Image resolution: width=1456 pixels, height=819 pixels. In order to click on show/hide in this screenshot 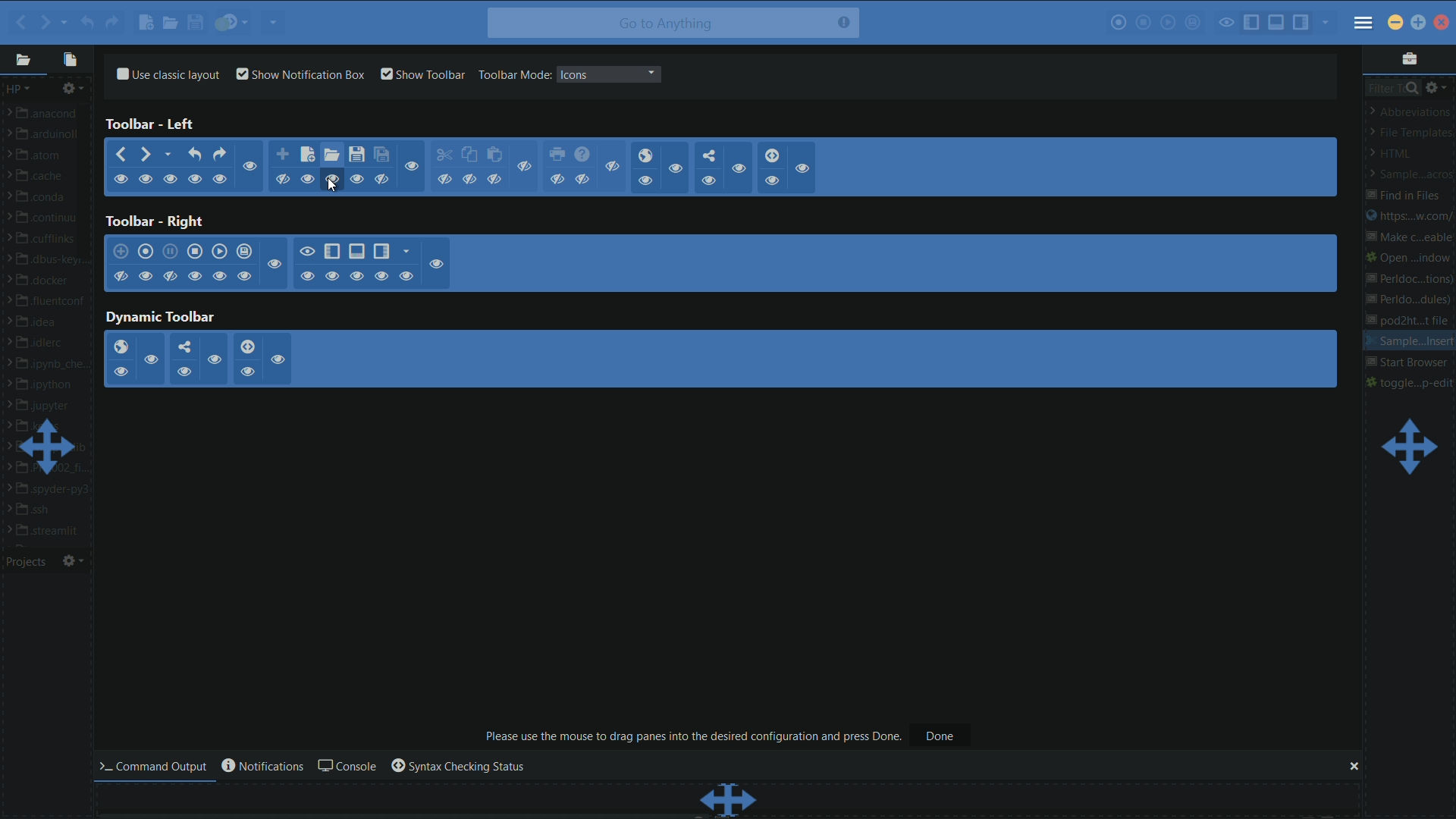, I will do `click(558, 179)`.